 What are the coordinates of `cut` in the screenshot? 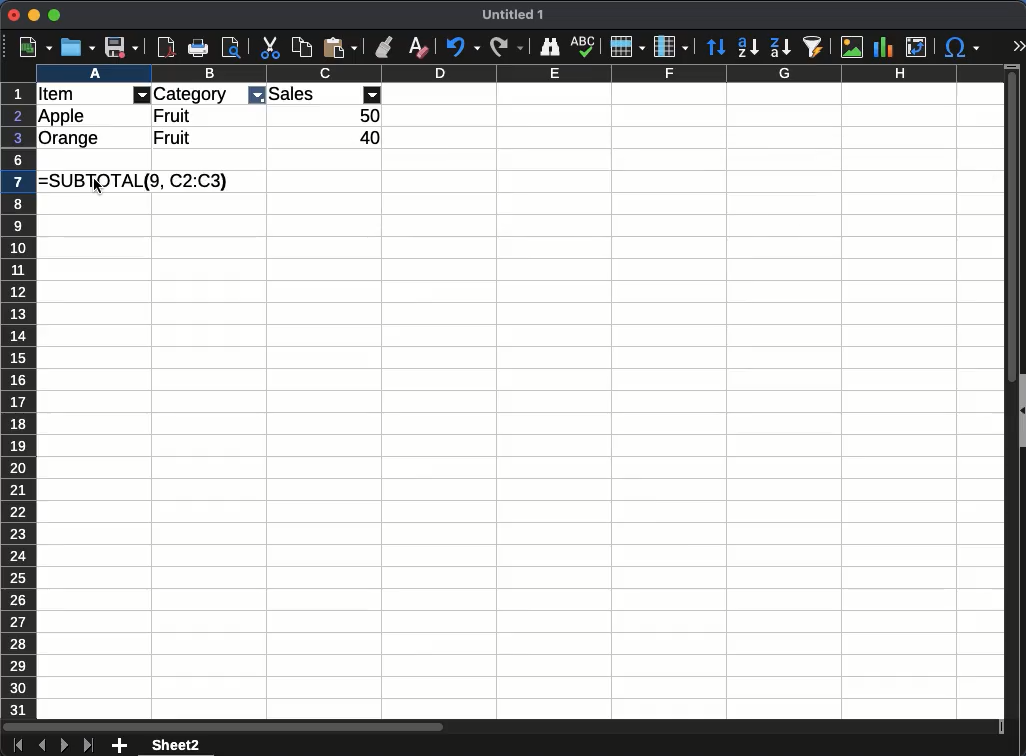 It's located at (271, 48).